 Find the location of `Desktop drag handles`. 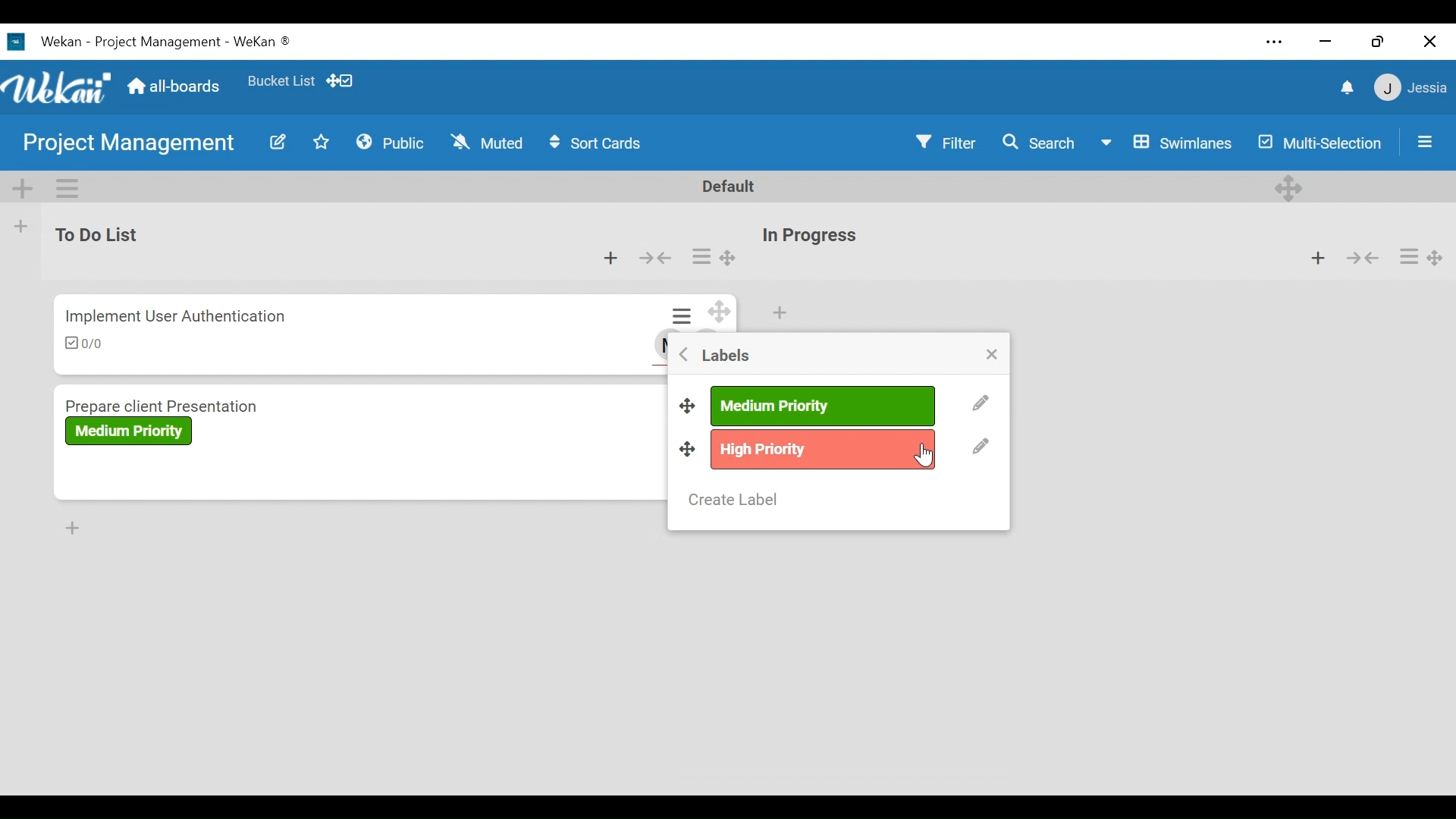

Desktop drag handles is located at coordinates (688, 450).